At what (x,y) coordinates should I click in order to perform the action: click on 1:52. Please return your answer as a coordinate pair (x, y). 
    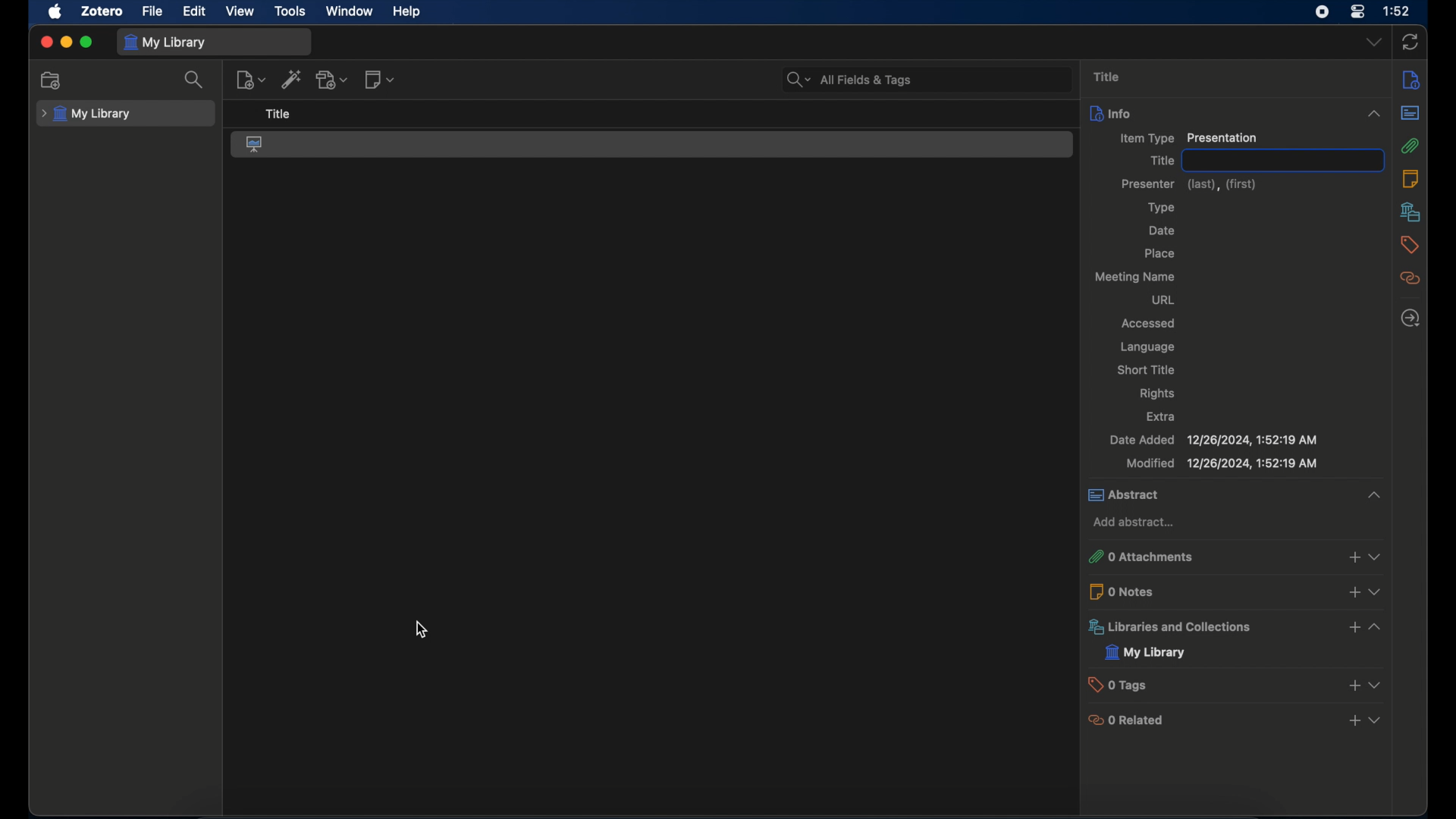
    Looking at the image, I should click on (1398, 11).